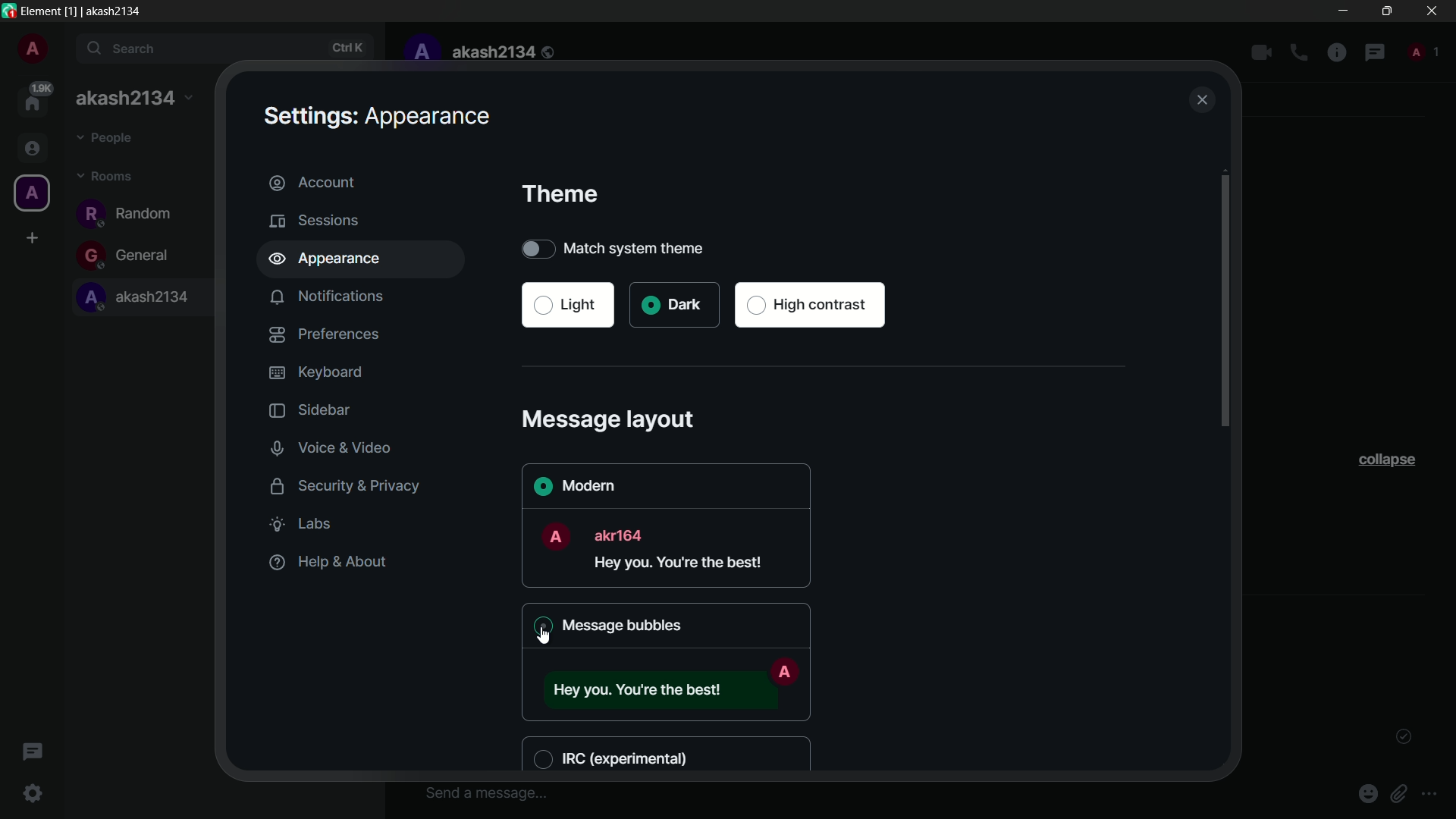 The height and width of the screenshot is (819, 1456). What do you see at coordinates (1430, 795) in the screenshot?
I see `more options` at bounding box center [1430, 795].